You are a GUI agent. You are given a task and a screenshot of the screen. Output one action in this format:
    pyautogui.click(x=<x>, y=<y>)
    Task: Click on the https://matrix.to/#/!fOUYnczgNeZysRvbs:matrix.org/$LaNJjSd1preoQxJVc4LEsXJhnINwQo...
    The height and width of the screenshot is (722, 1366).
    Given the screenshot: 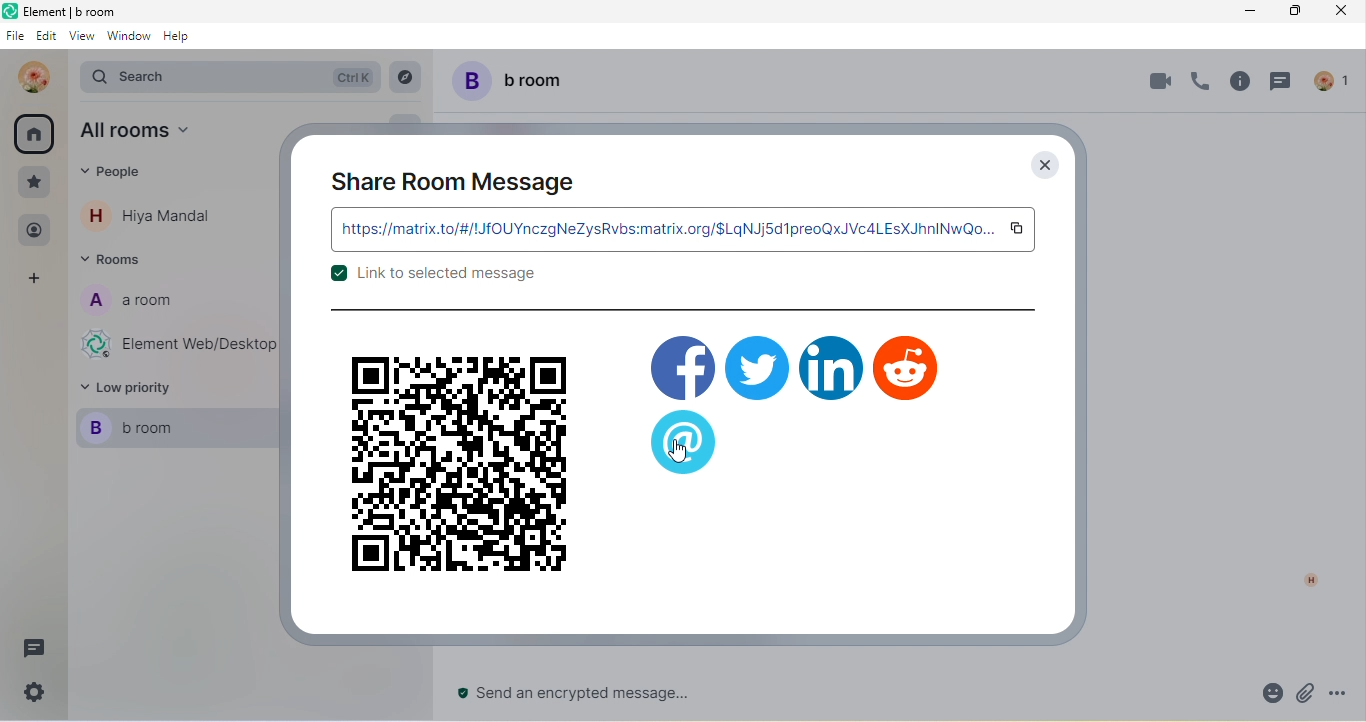 What is the action you would take?
    pyautogui.click(x=665, y=229)
    